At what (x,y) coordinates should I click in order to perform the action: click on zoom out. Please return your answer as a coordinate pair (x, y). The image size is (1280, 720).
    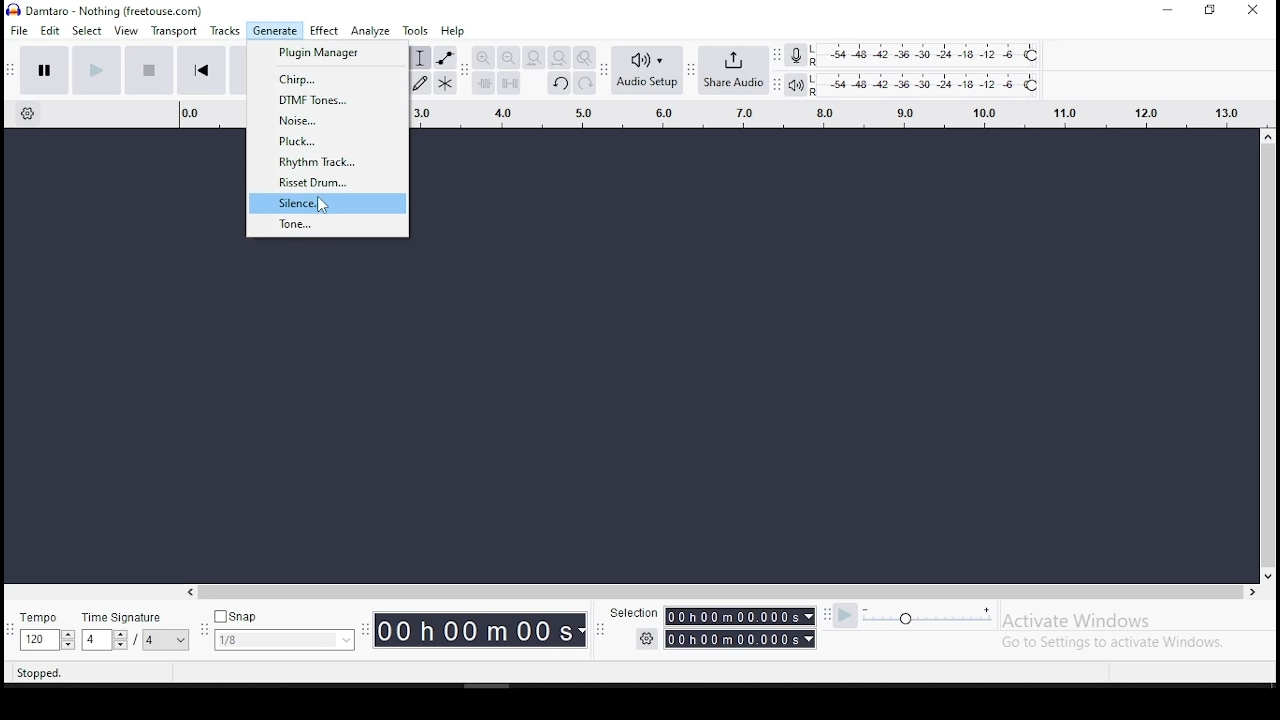
    Looking at the image, I should click on (507, 57).